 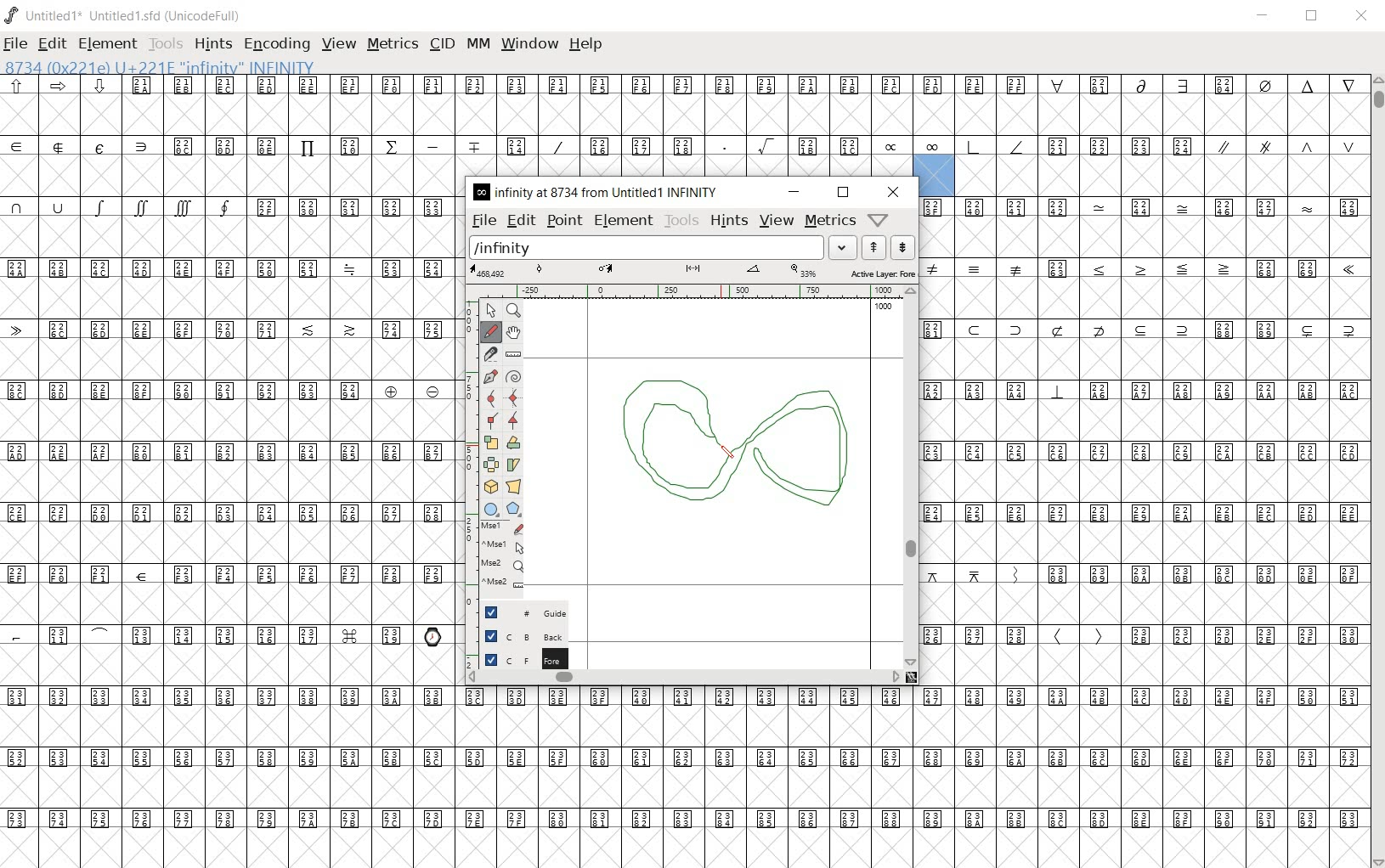 I want to click on Unicode code points, so click(x=1243, y=635).